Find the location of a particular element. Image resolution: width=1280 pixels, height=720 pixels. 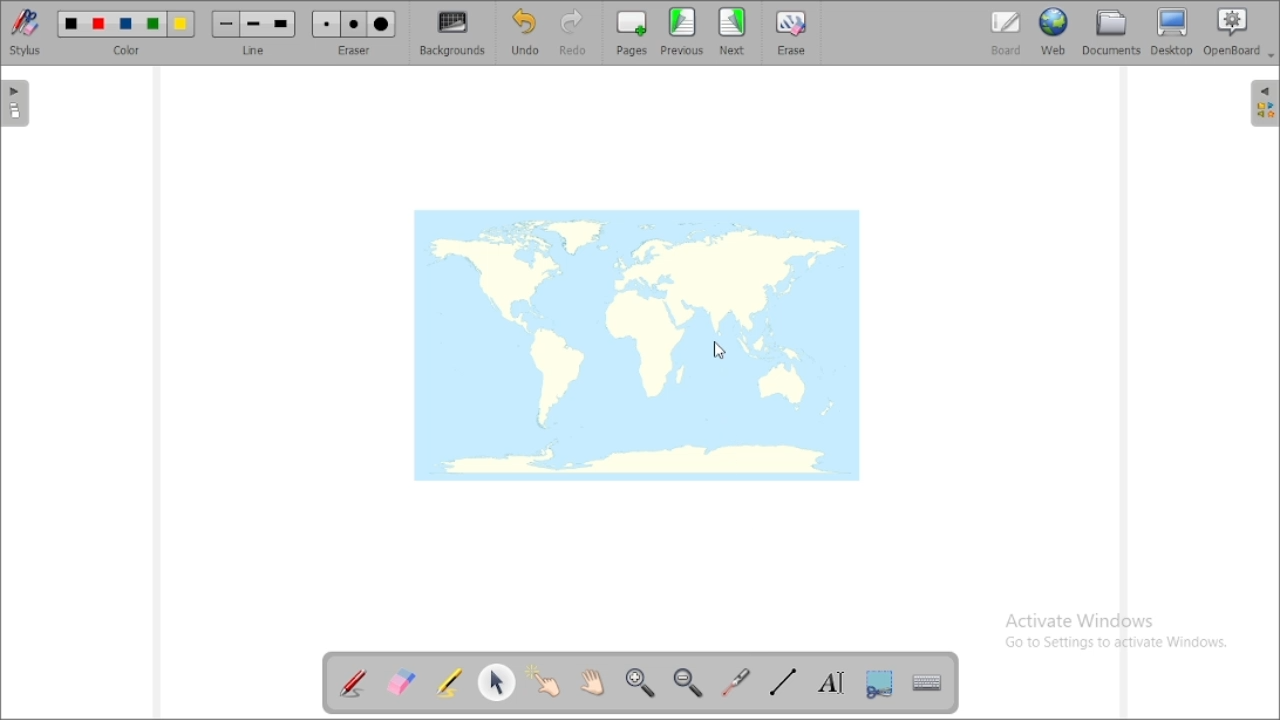

zoom out is located at coordinates (689, 682).